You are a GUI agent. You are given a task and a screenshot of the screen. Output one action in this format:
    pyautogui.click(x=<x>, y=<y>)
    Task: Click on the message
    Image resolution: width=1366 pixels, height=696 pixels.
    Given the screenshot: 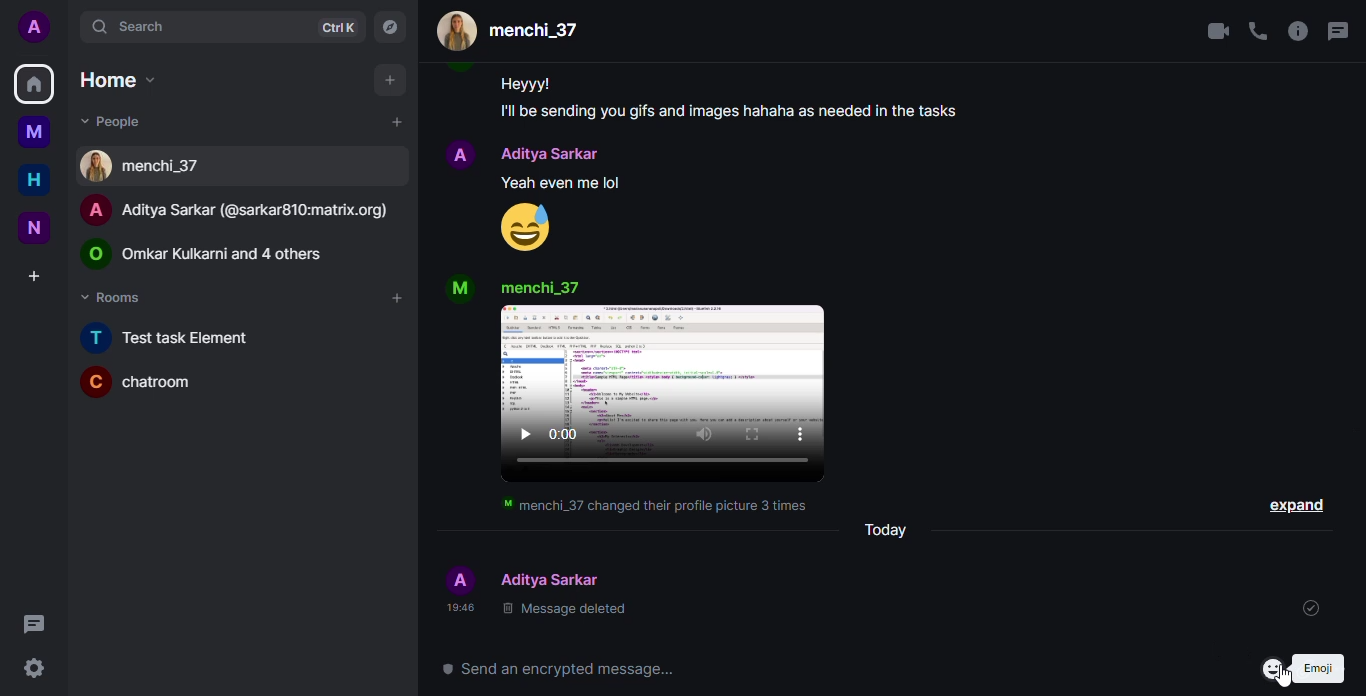 What is the action you would take?
    pyautogui.click(x=526, y=84)
    